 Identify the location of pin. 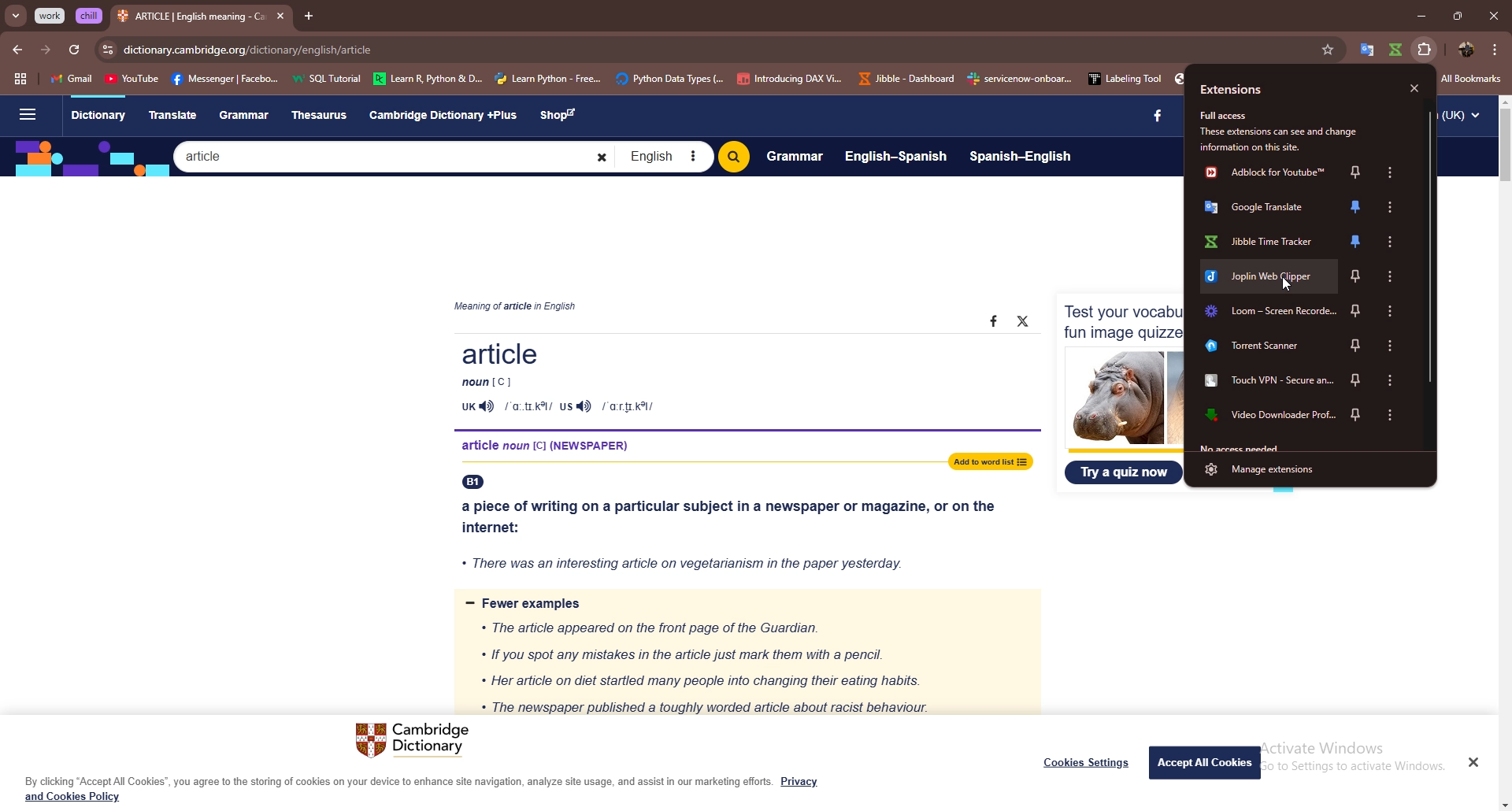
(1358, 417).